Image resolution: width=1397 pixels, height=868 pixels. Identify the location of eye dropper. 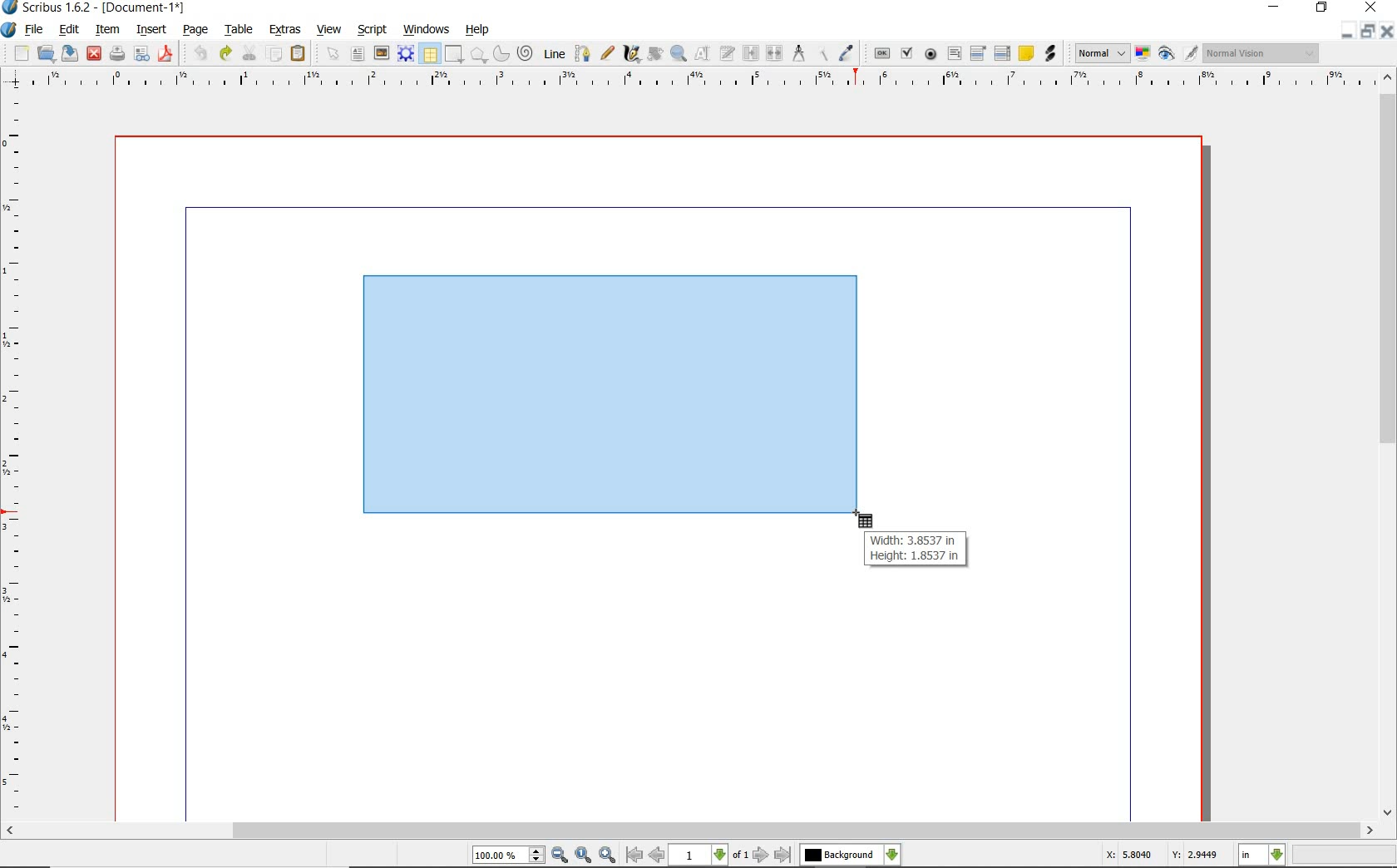
(847, 53).